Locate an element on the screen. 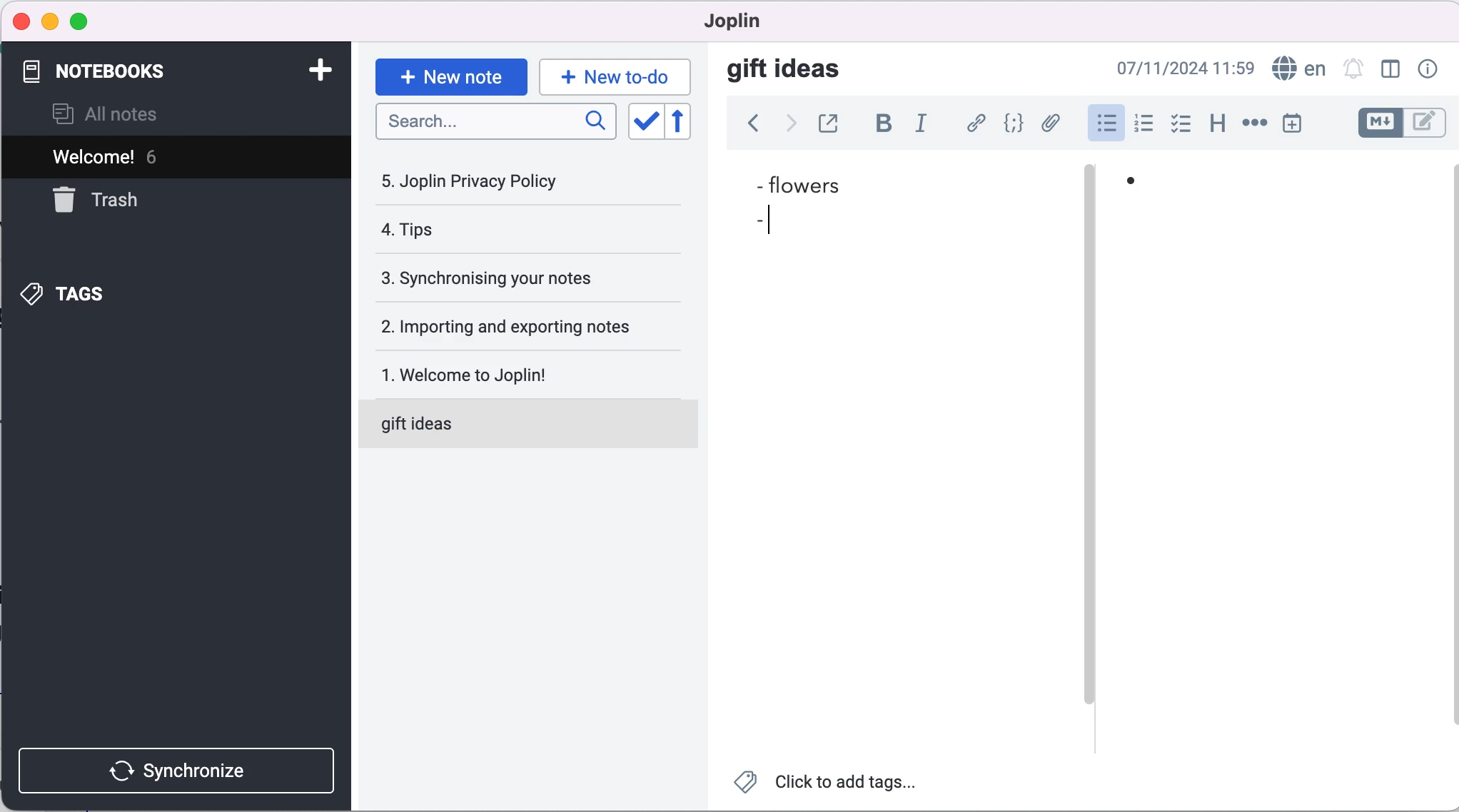 Image resolution: width=1459 pixels, height=812 pixels. welcome! 6 is located at coordinates (171, 158).